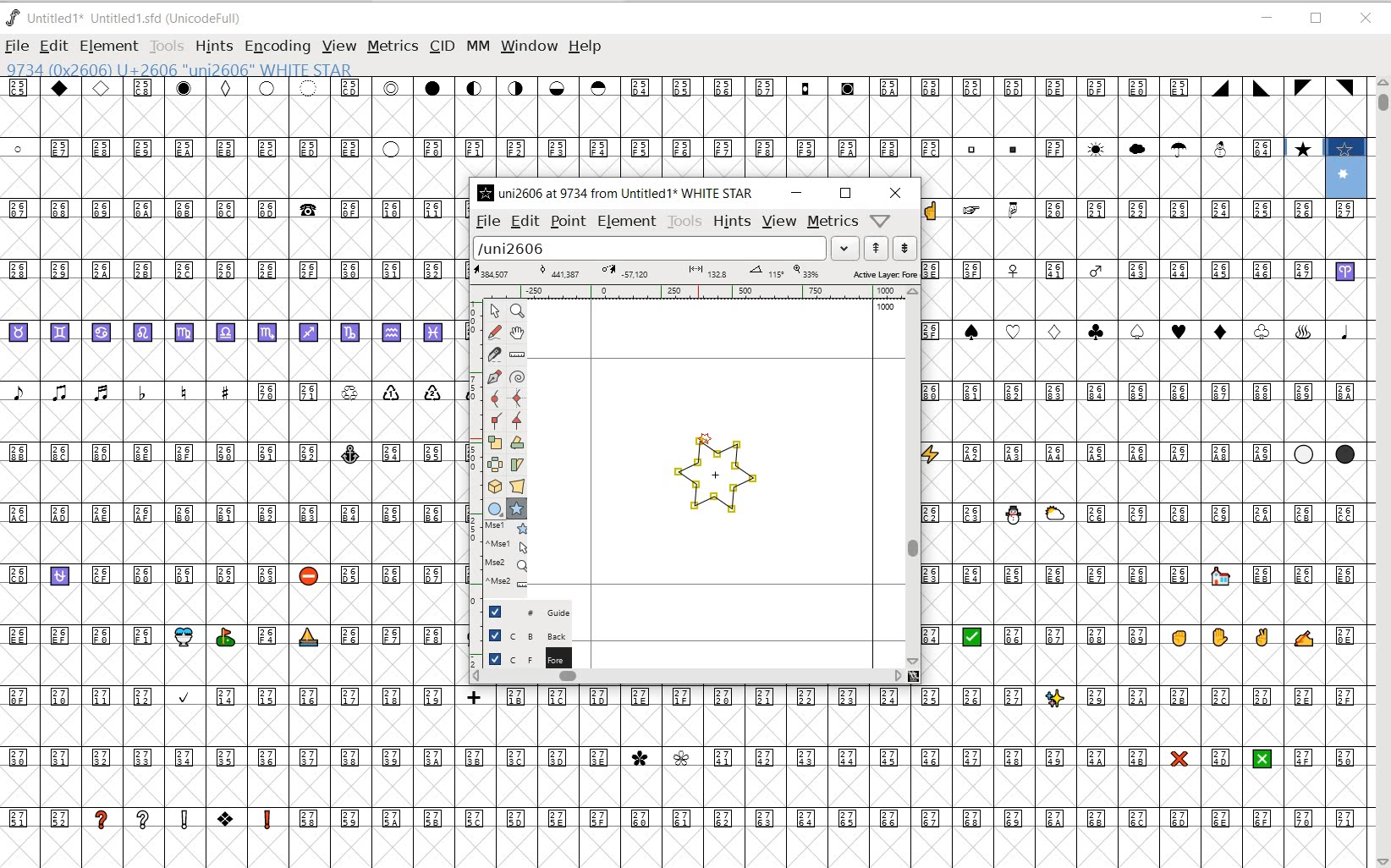 The image size is (1391, 868). Describe the element at coordinates (476, 45) in the screenshot. I see `MM` at that location.